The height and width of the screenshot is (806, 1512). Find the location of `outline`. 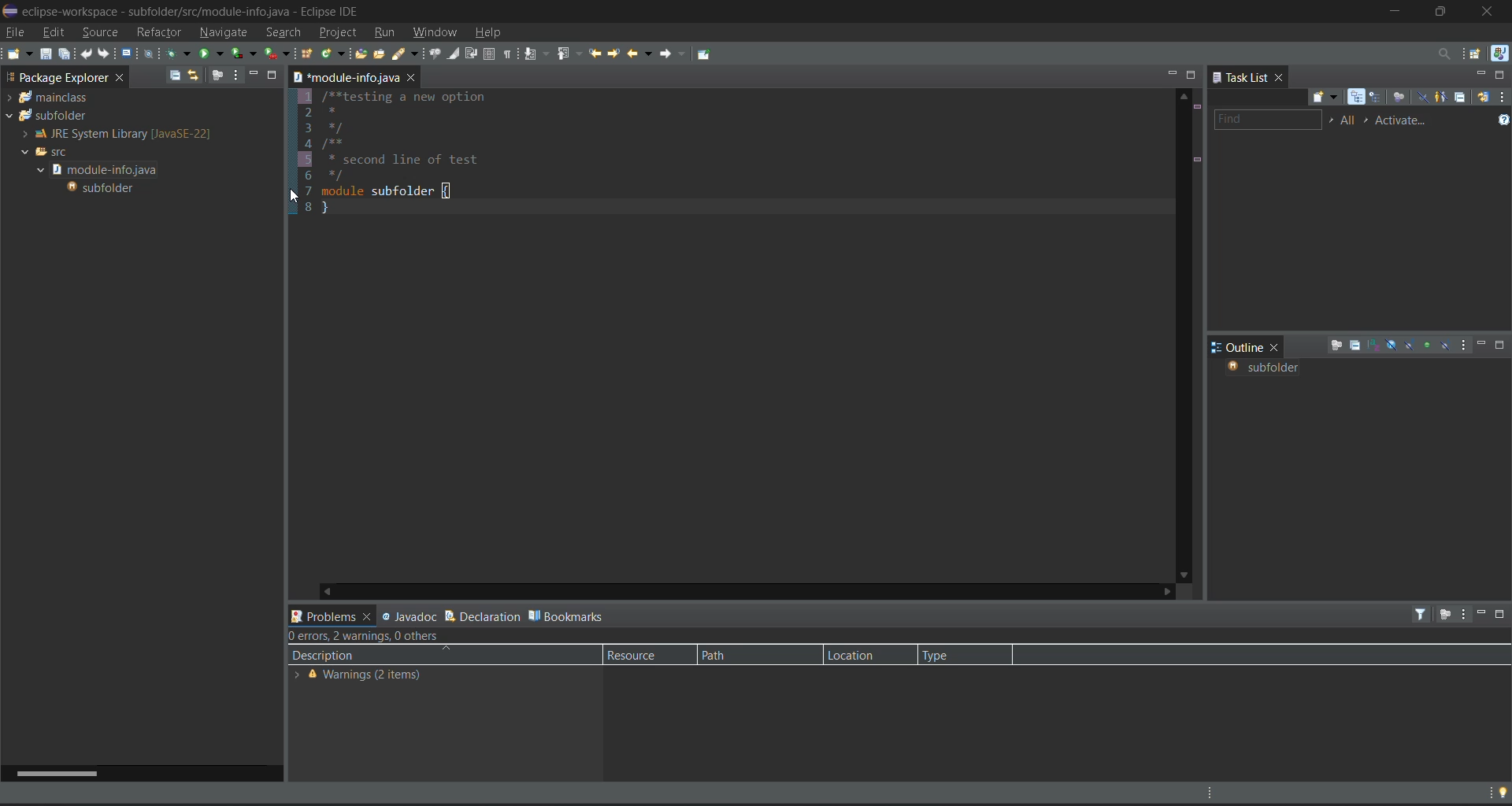

outline is located at coordinates (1238, 347).